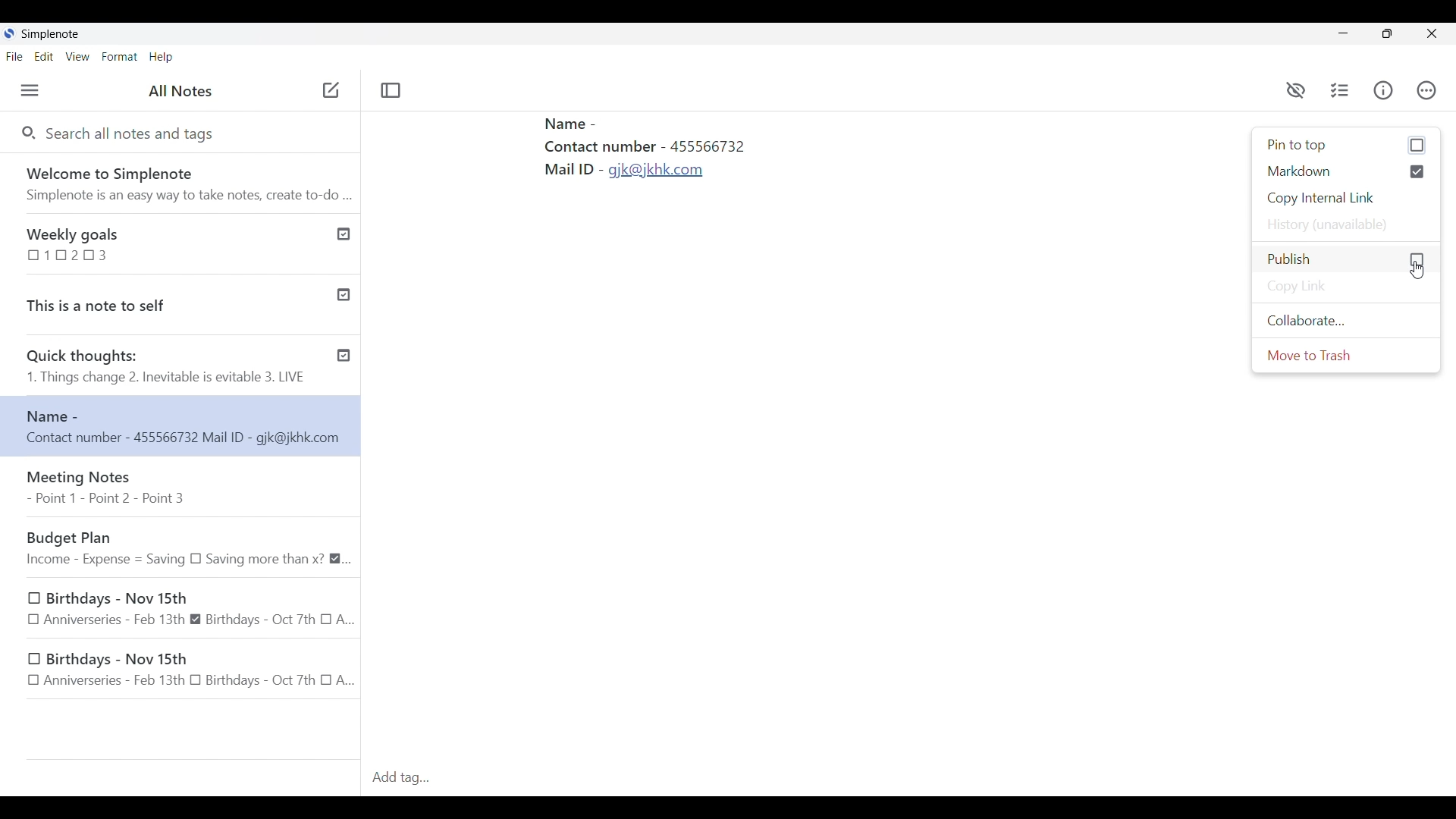  Describe the element at coordinates (684, 166) in the screenshot. I see `Text pasted in new formatting` at that location.